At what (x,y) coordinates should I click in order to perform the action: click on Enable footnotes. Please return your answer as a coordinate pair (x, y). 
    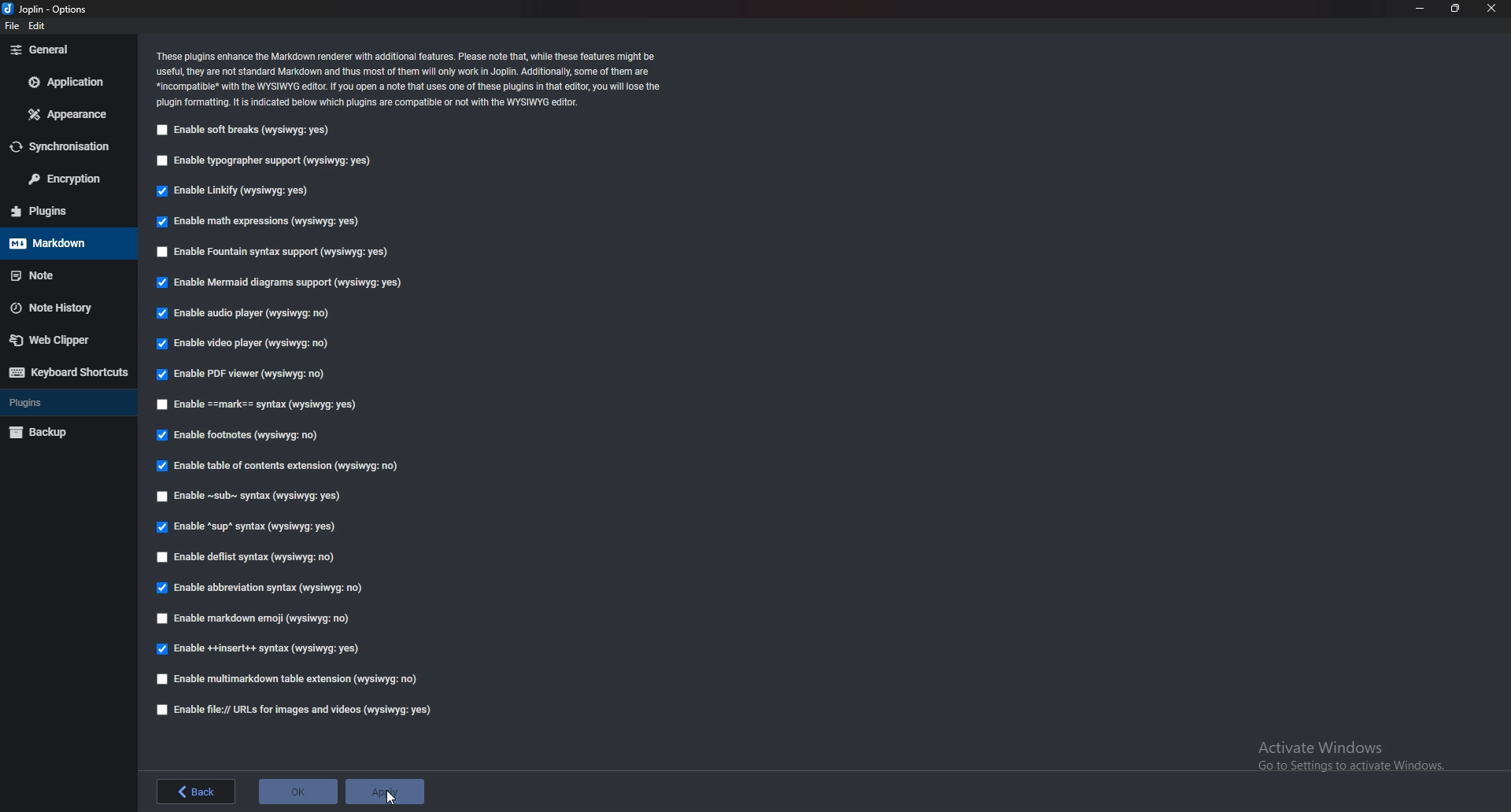
    Looking at the image, I should click on (242, 434).